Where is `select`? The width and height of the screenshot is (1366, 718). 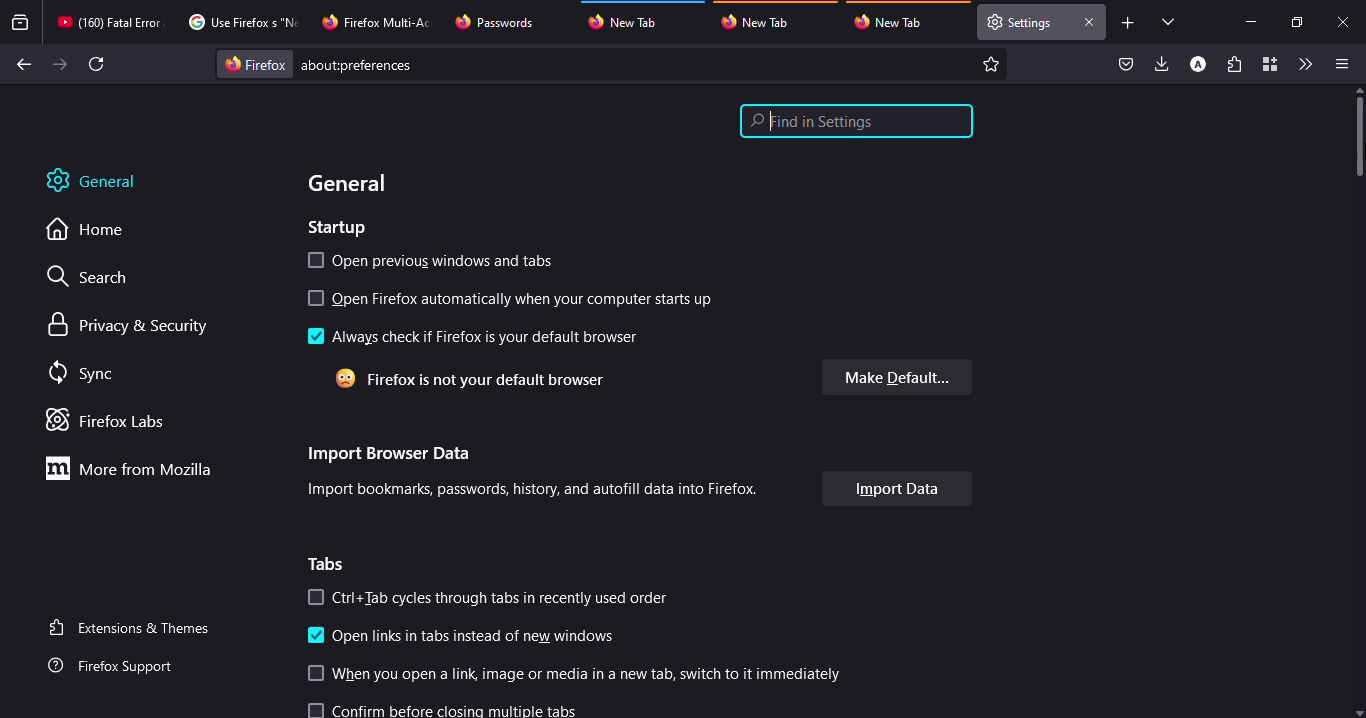 select is located at coordinates (315, 675).